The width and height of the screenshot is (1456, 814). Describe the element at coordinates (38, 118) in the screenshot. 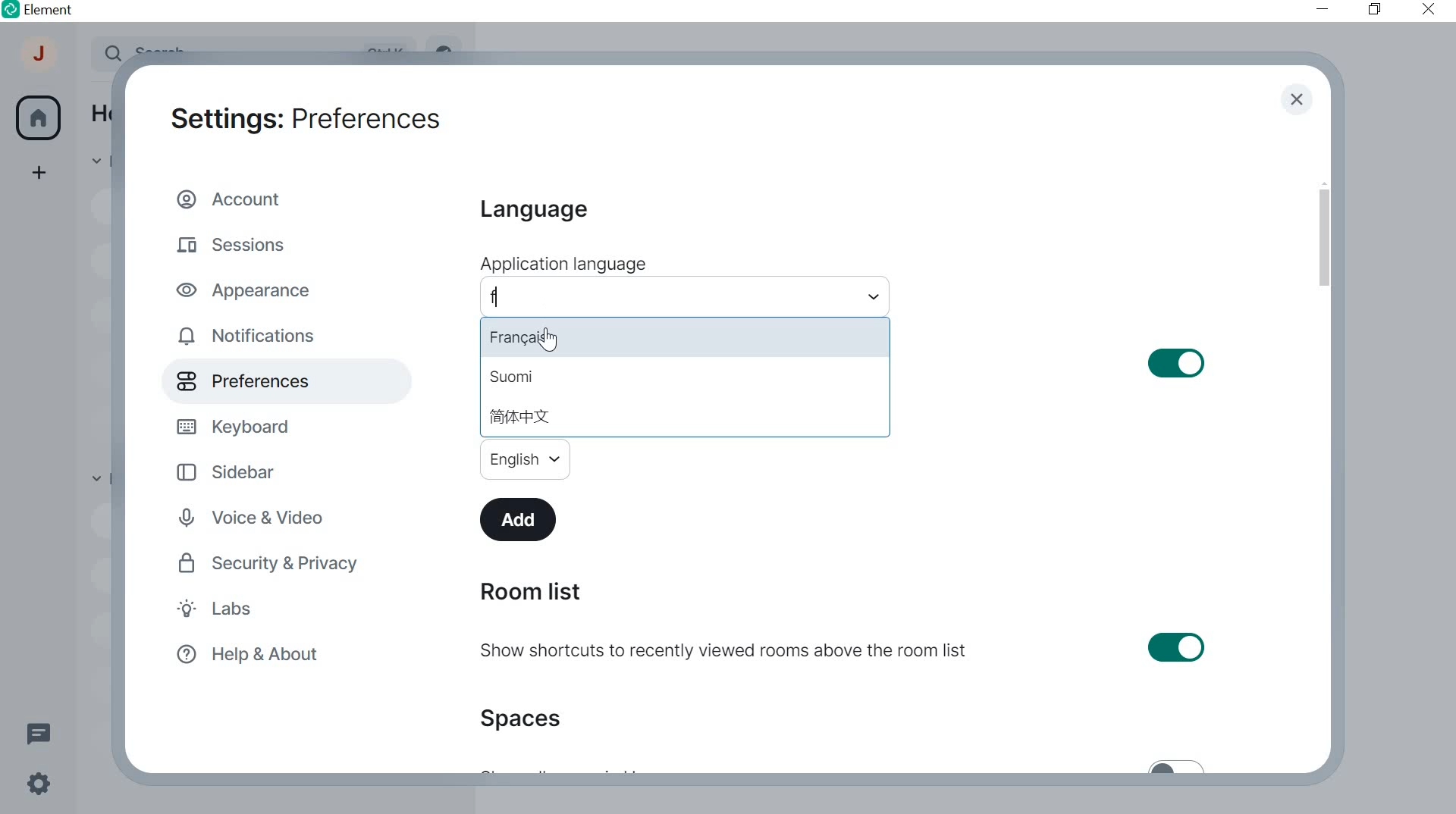

I see `home` at that location.